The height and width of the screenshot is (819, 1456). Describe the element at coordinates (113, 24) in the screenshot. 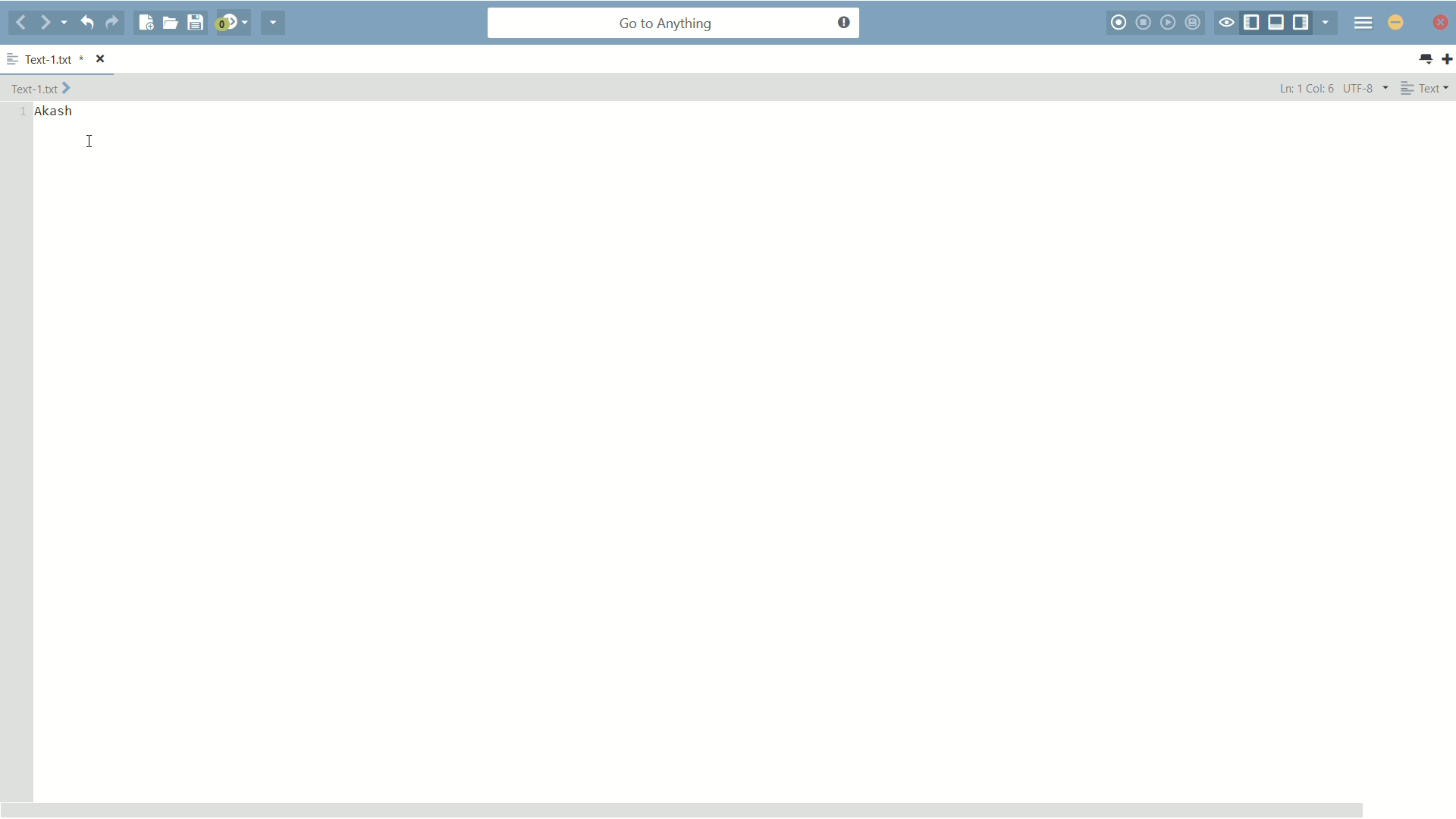

I see `redo` at that location.